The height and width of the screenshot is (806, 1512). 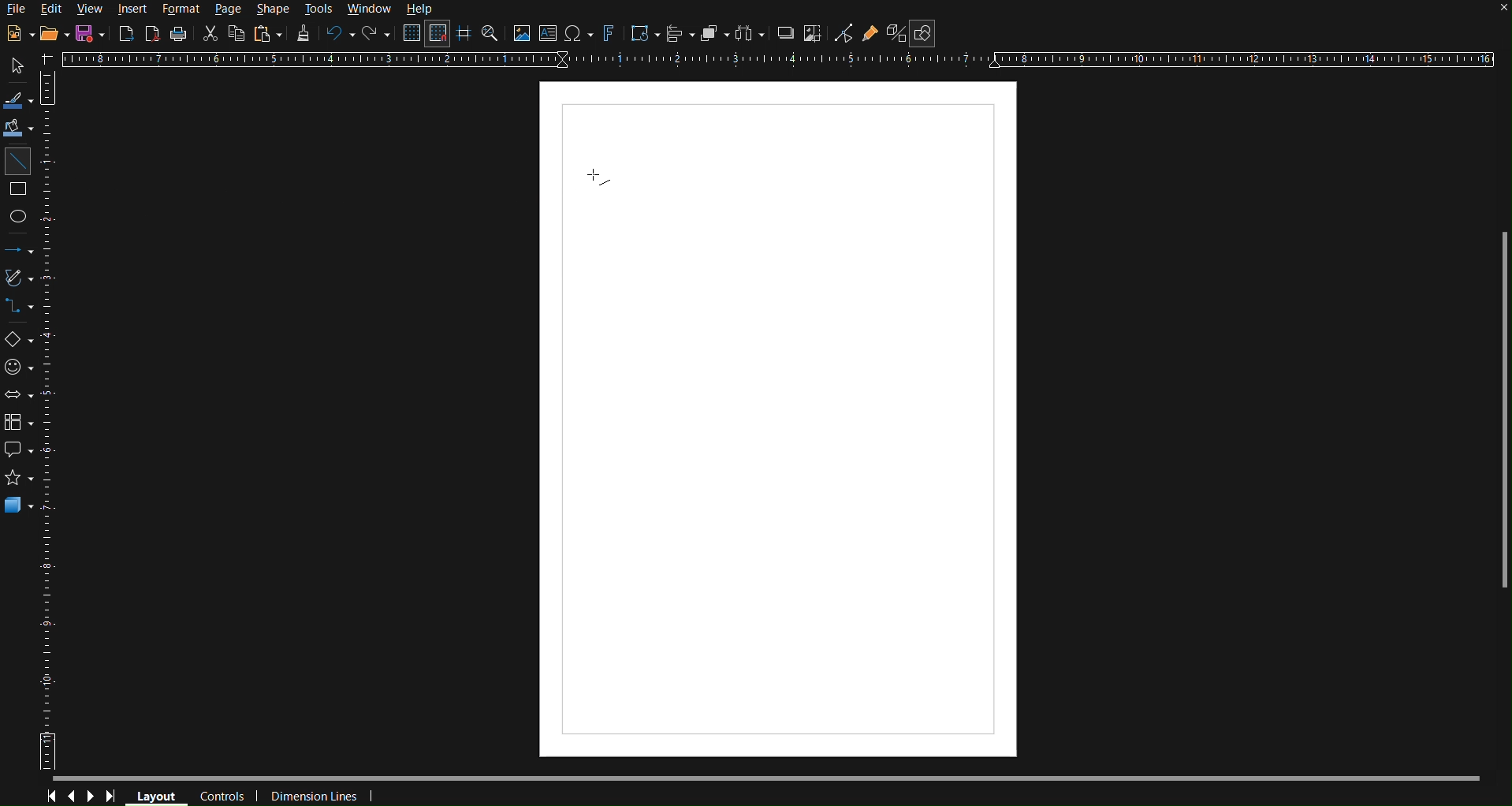 What do you see at coordinates (18, 161) in the screenshot?
I see `Line ` at bounding box center [18, 161].